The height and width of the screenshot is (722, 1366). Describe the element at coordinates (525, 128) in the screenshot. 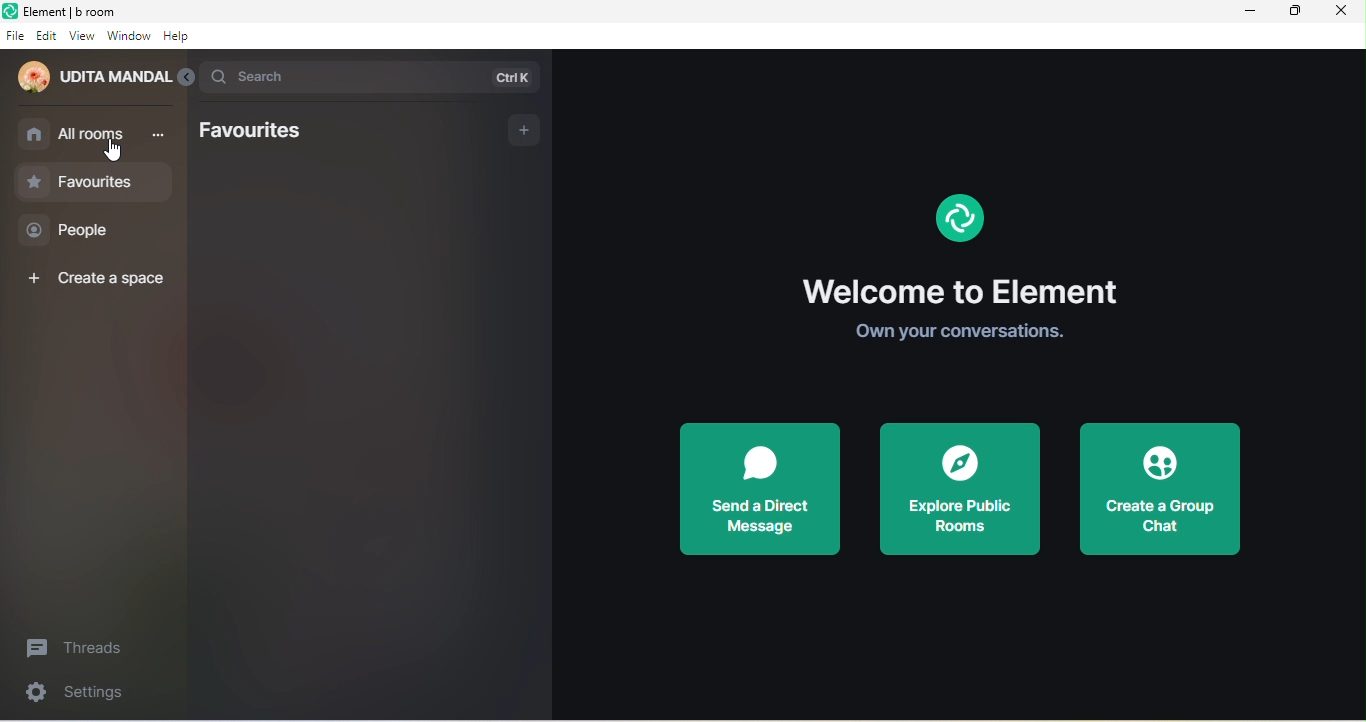

I see `add` at that location.